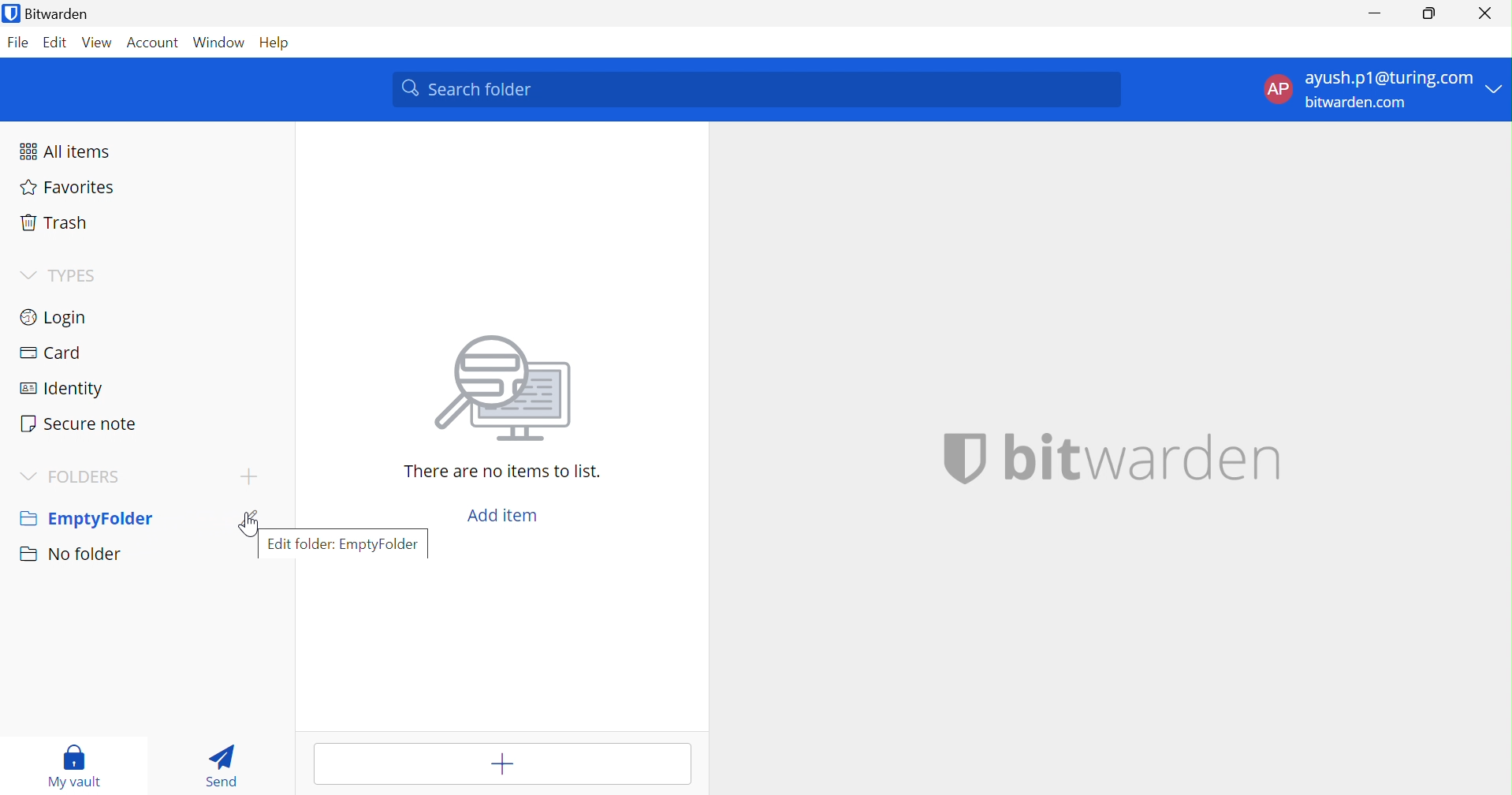 Image resolution: width=1512 pixels, height=795 pixels. Describe the element at coordinates (68, 187) in the screenshot. I see `Favorites` at that location.